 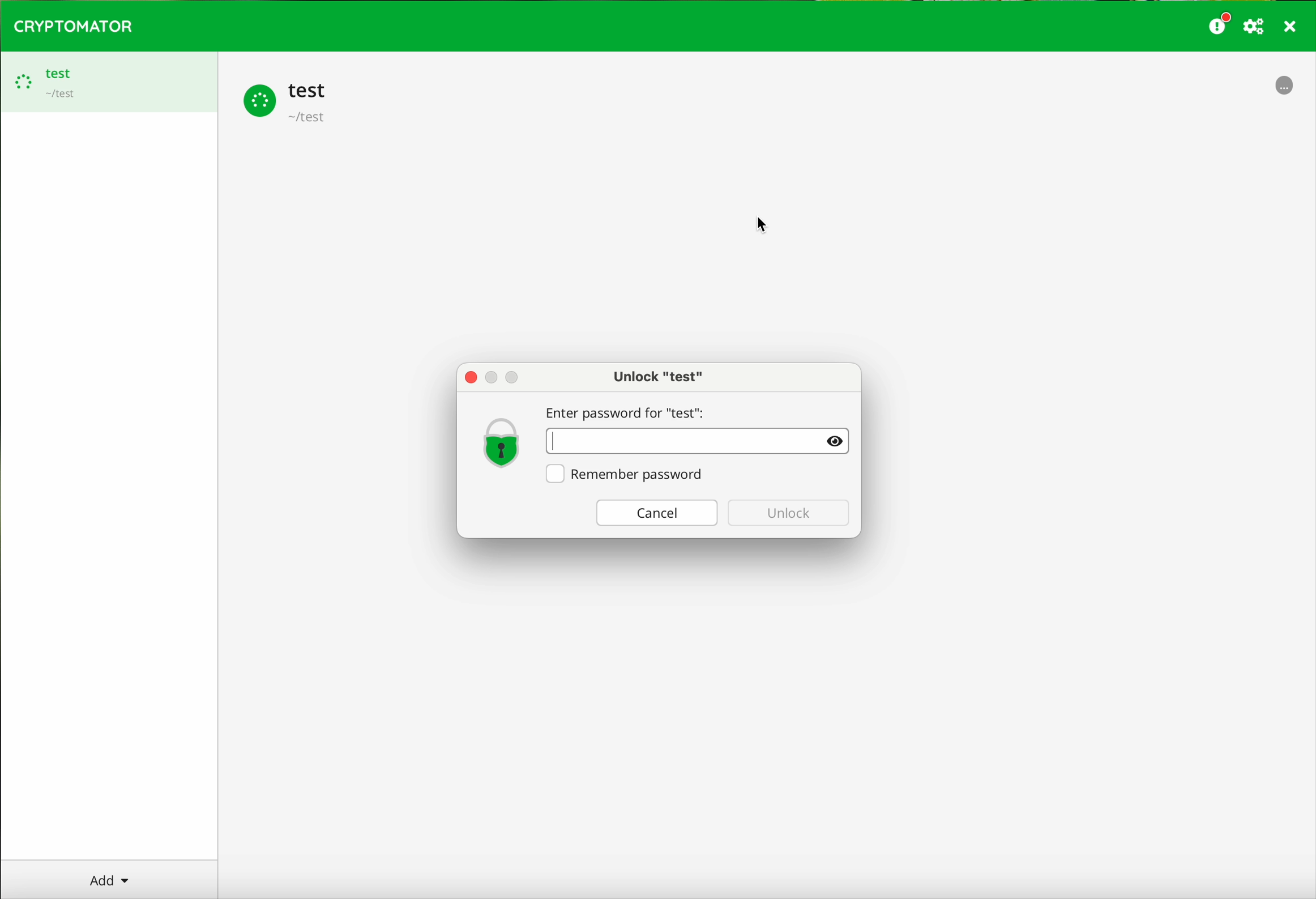 What do you see at coordinates (767, 222) in the screenshot?
I see `cursor` at bounding box center [767, 222].